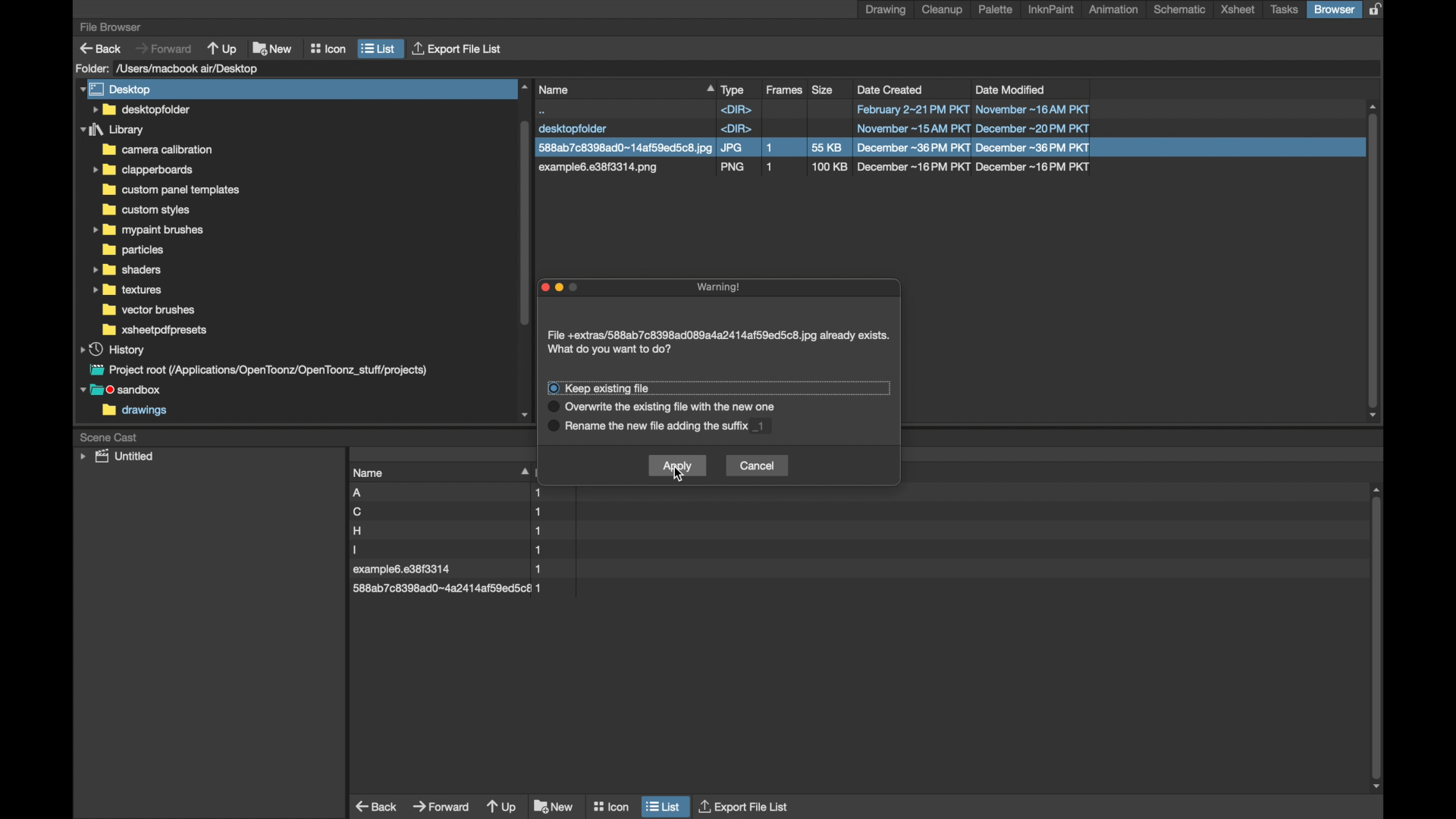 This screenshot has width=1456, height=819. I want to click on file, so click(447, 588).